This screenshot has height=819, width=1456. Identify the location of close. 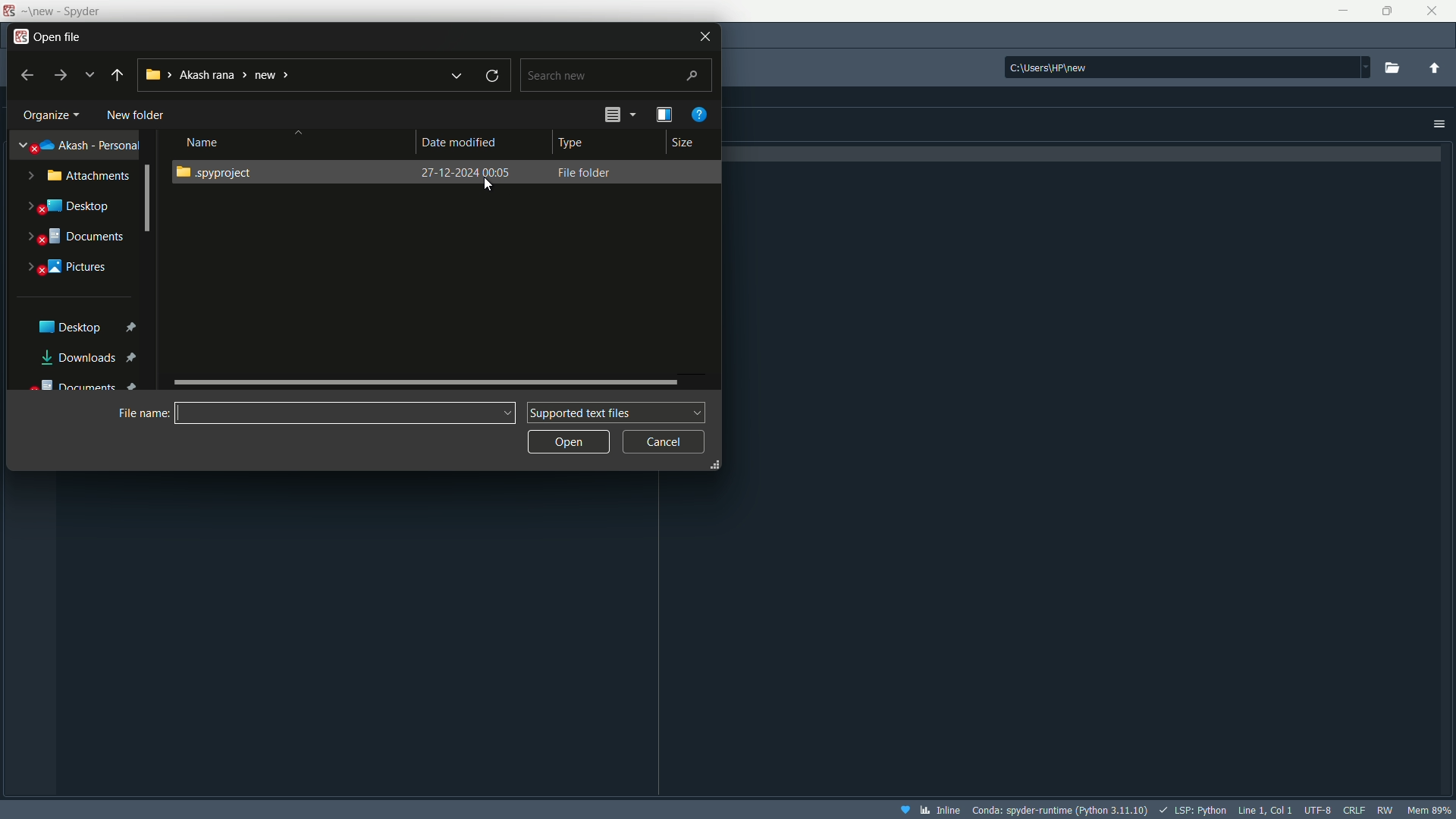
(705, 35).